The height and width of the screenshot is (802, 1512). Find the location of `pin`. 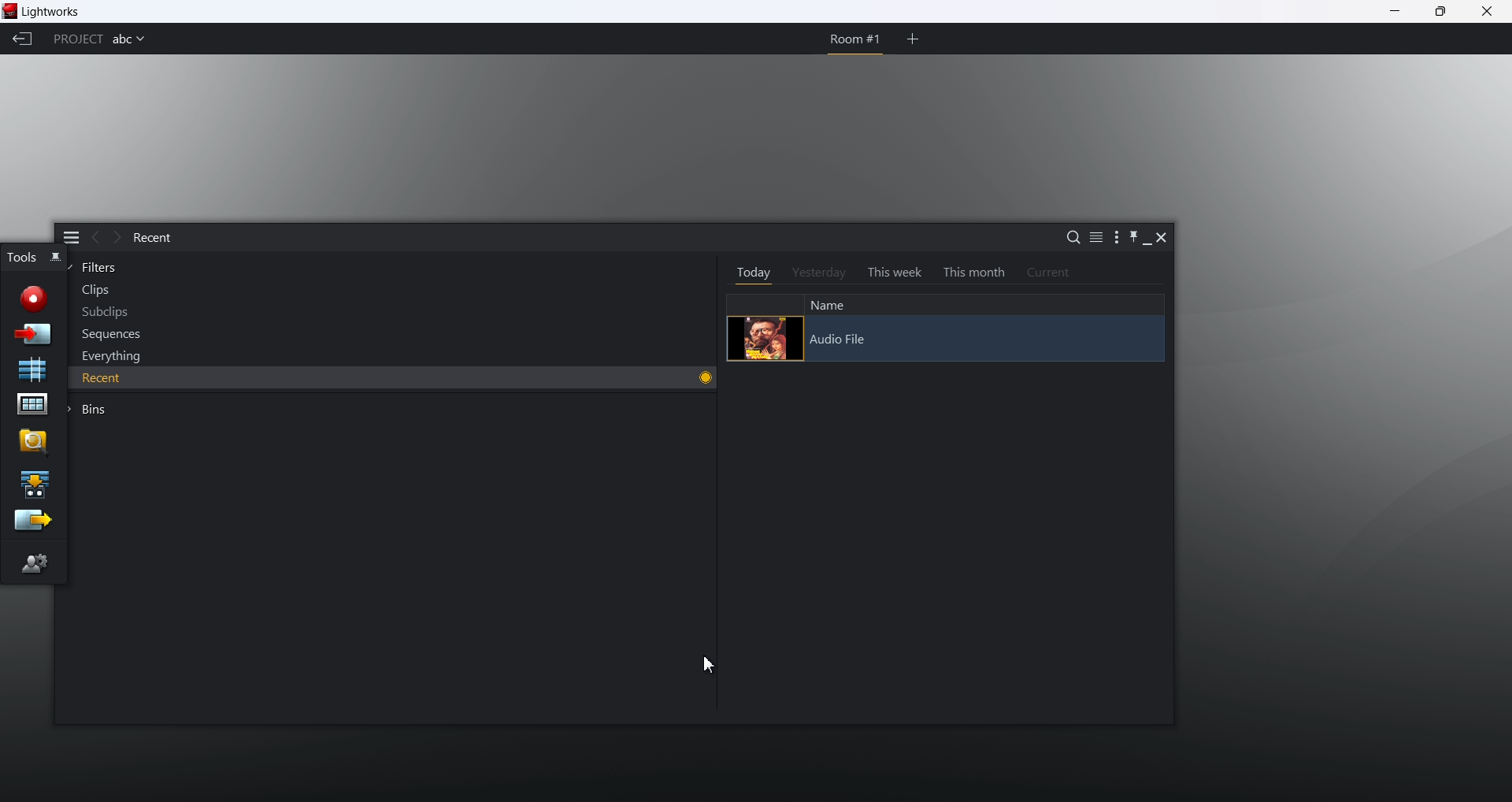

pin is located at coordinates (1128, 239).